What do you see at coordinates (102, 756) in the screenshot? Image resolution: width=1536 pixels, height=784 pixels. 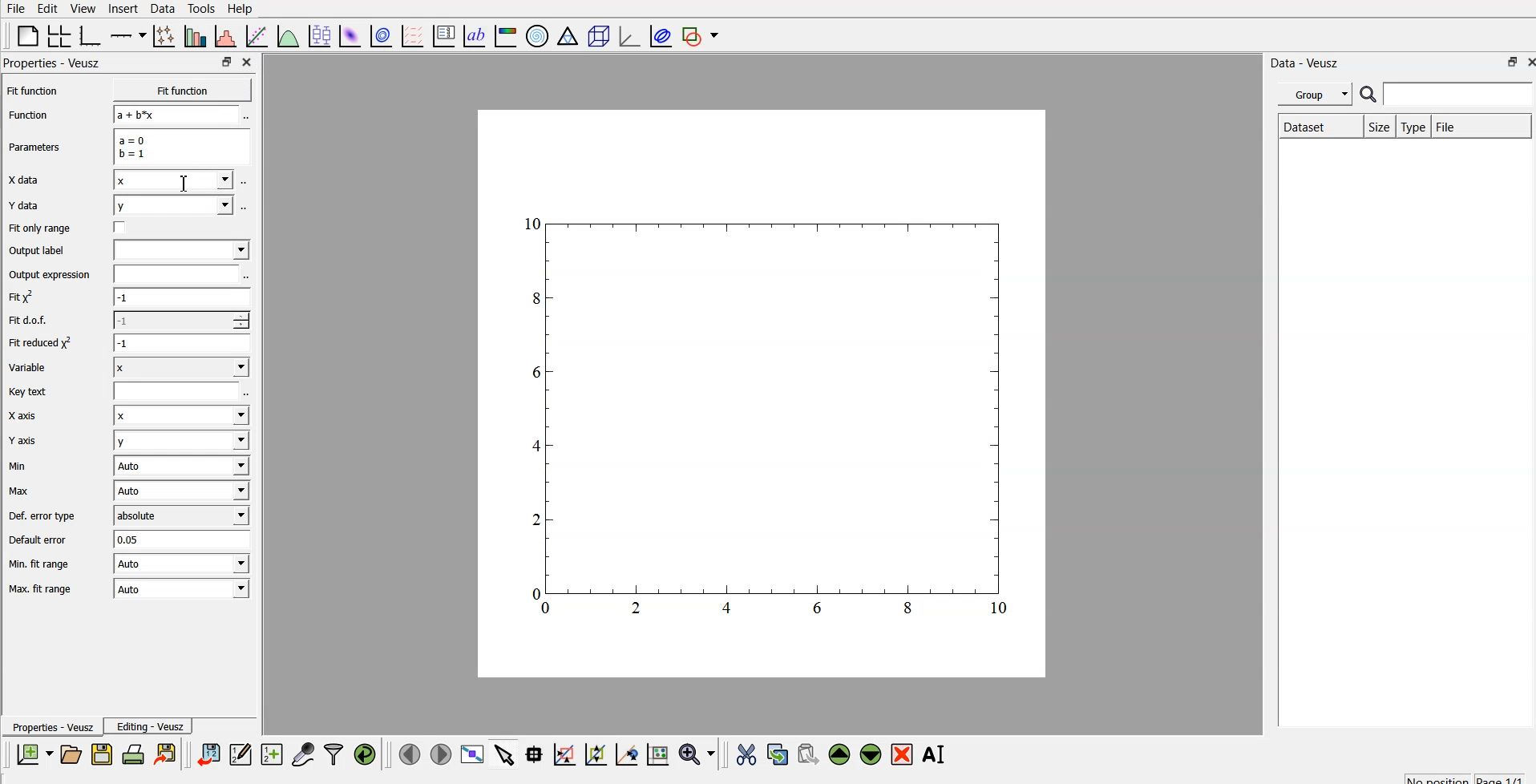 I see `save` at bounding box center [102, 756].